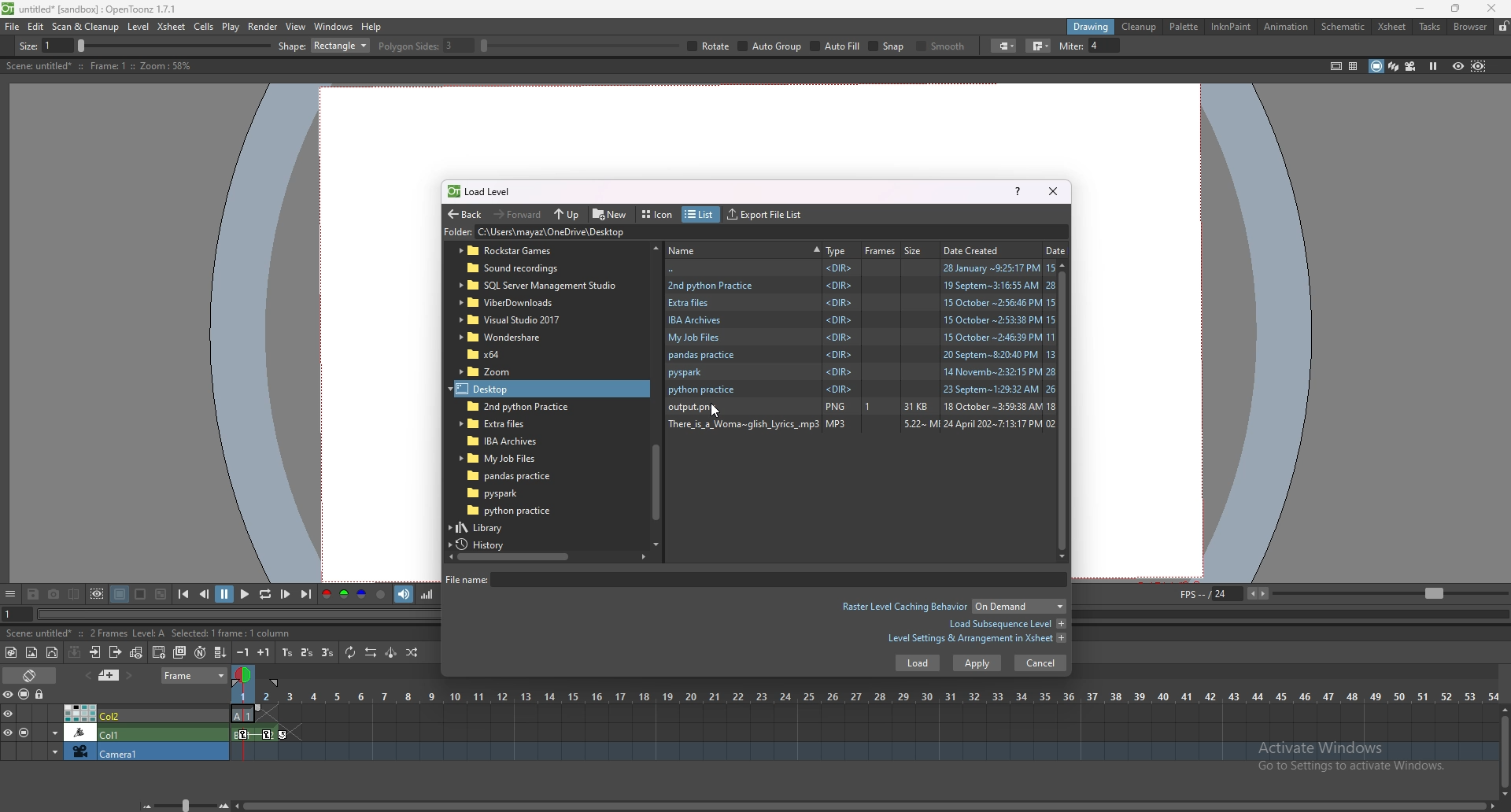 This screenshot has width=1511, height=812. What do you see at coordinates (1395, 65) in the screenshot?
I see `3d view` at bounding box center [1395, 65].